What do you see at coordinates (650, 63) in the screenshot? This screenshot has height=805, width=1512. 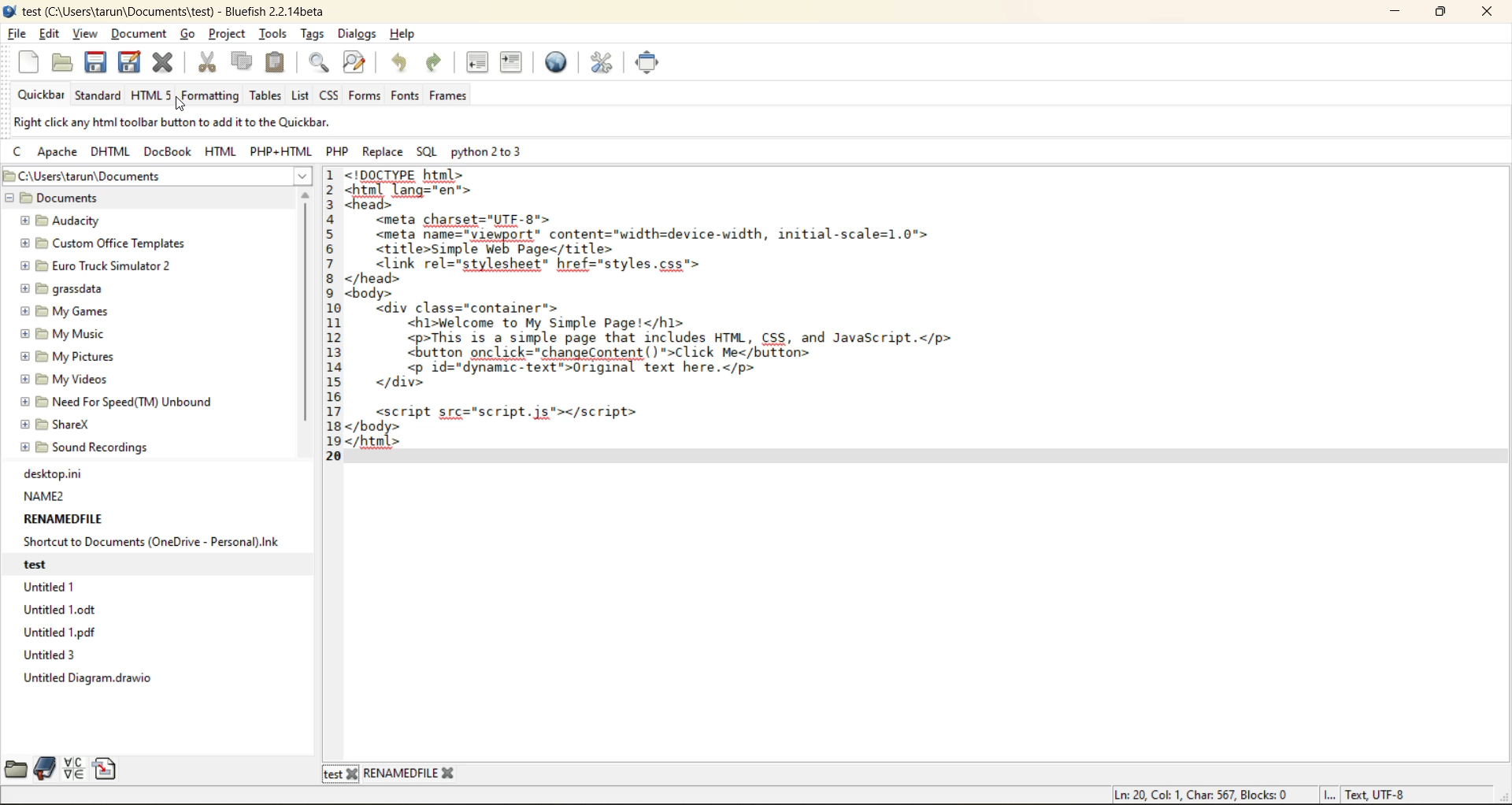 I see `fullscreen` at bounding box center [650, 63].